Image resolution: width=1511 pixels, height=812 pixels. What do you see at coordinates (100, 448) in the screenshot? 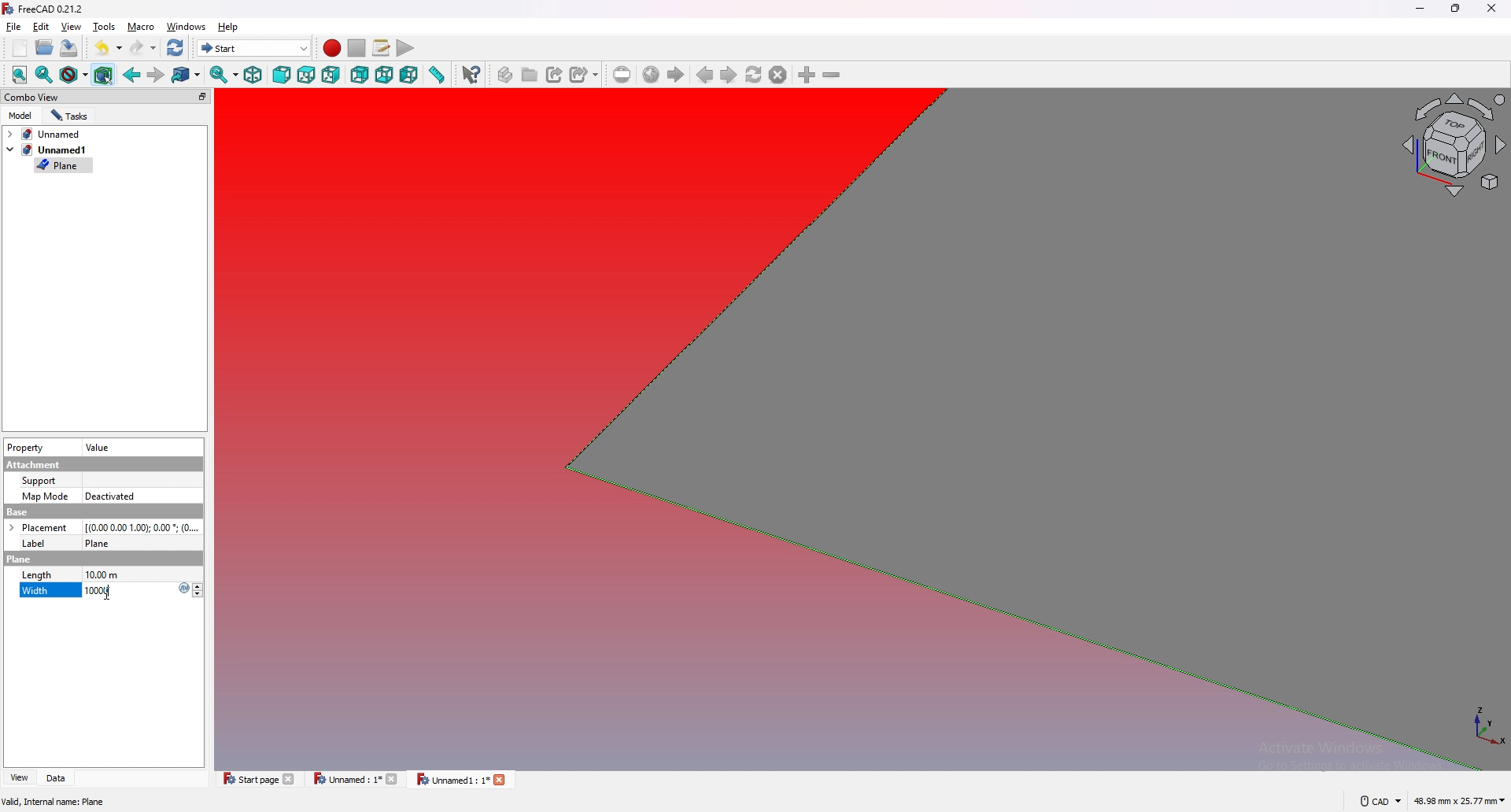
I see `value` at bounding box center [100, 448].